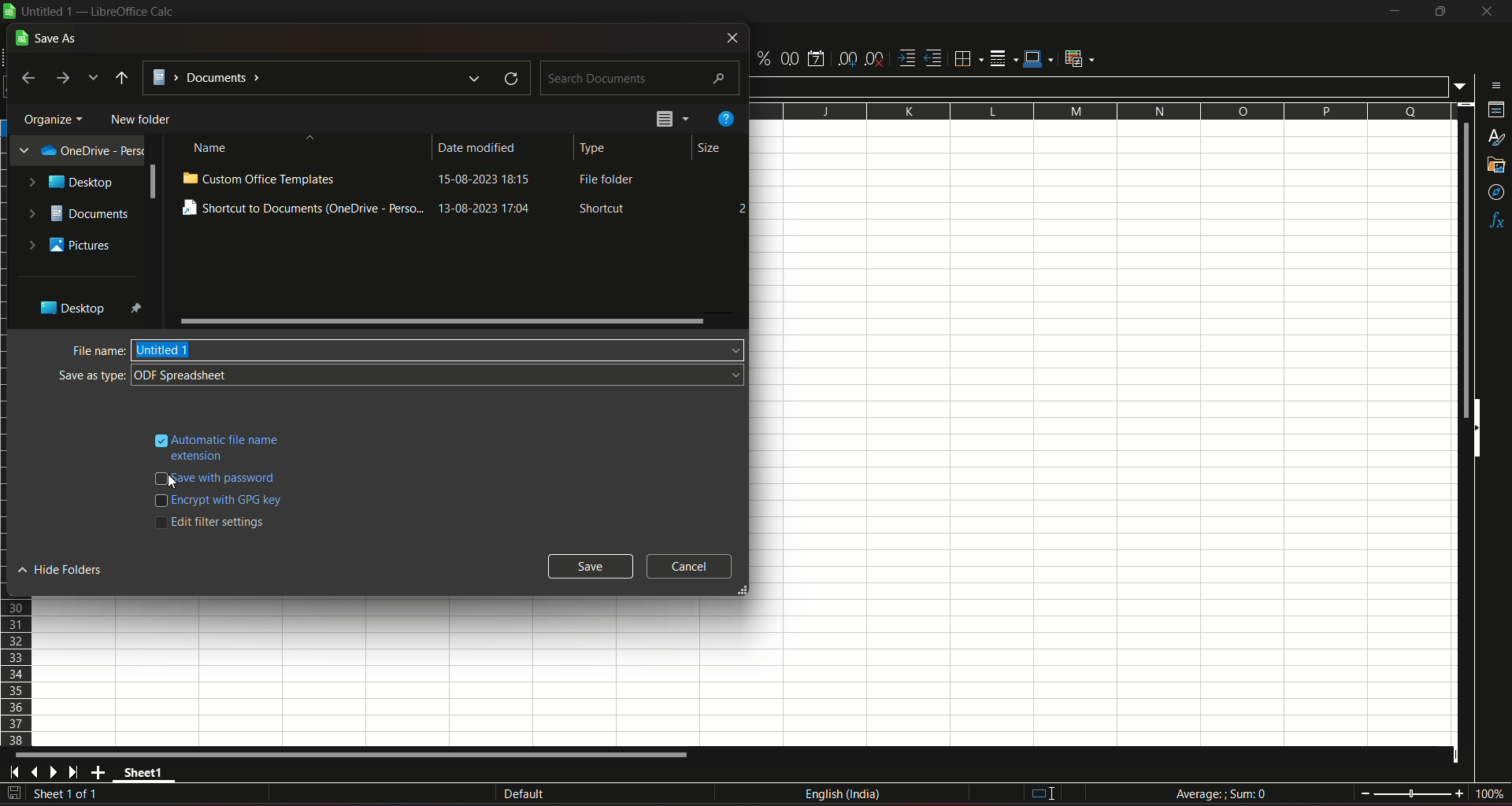 The height and width of the screenshot is (806, 1512). What do you see at coordinates (101, 13) in the screenshot?
I see `untitled 1- libreoffice calc` at bounding box center [101, 13].